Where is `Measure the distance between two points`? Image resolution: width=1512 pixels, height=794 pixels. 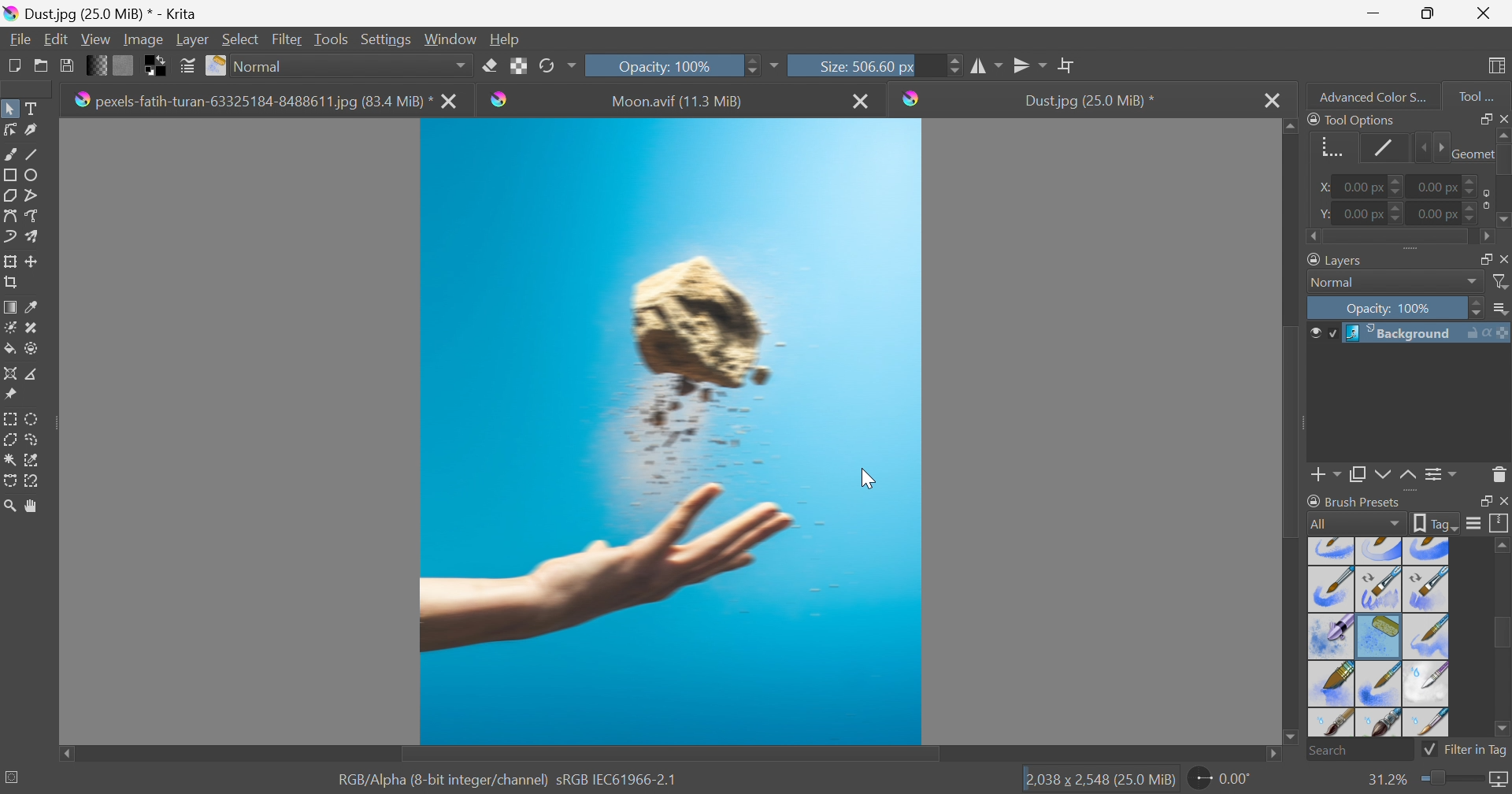
Measure the distance between two points is located at coordinates (33, 375).